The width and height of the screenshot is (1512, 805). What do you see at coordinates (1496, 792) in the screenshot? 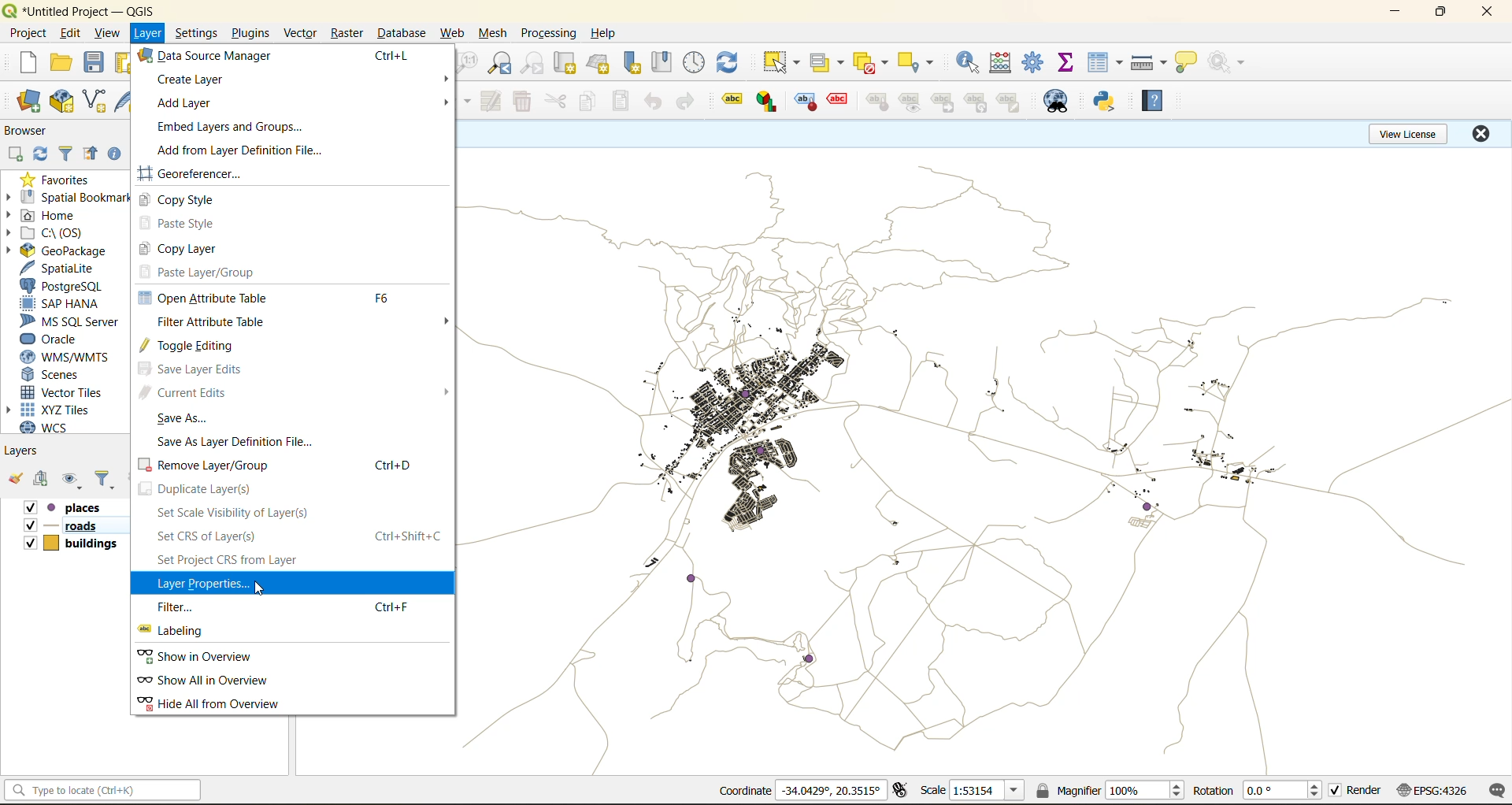
I see `log messages` at bounding box center [1496, 792].